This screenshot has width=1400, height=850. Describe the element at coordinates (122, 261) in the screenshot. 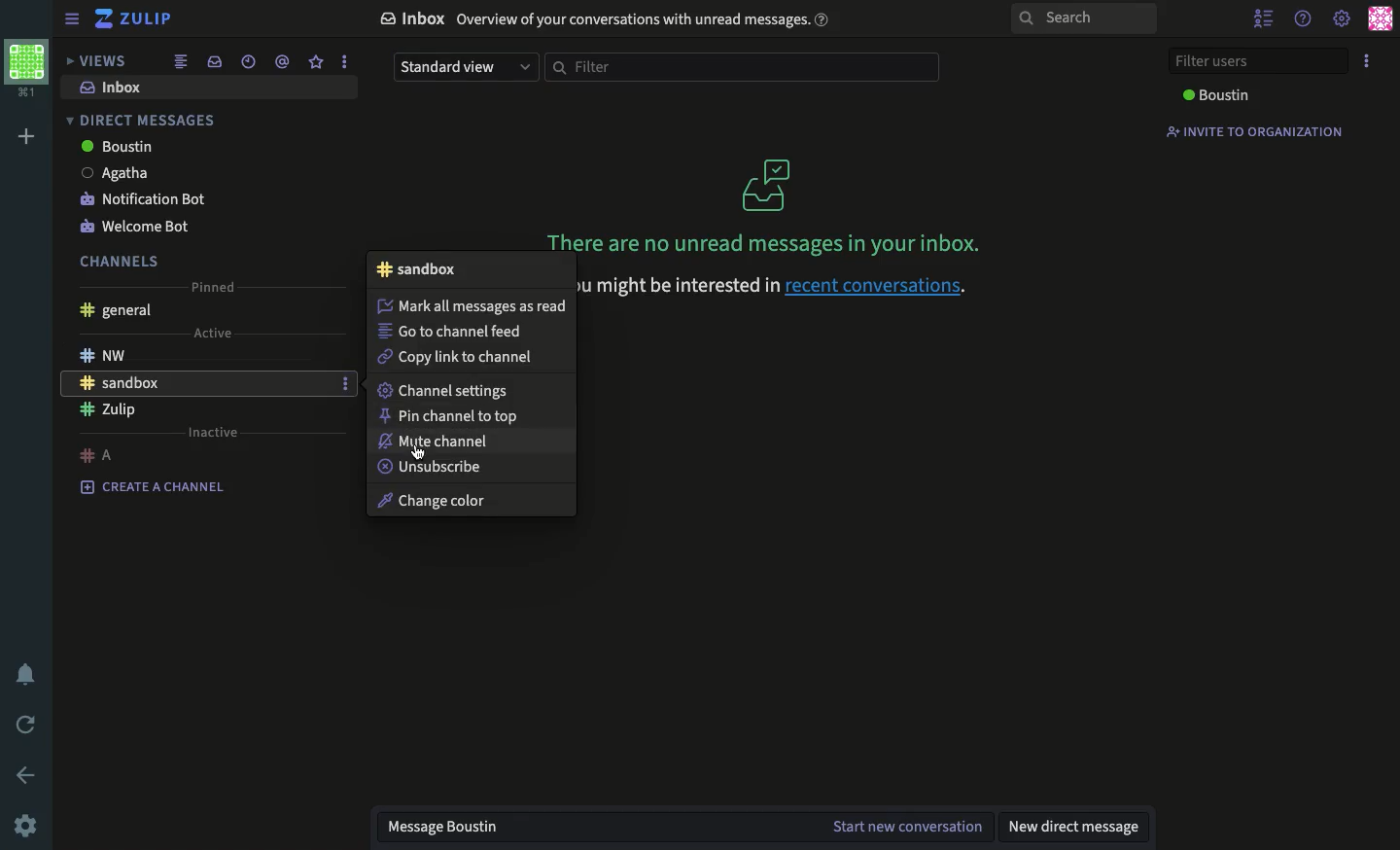

I see `channels` at that location.